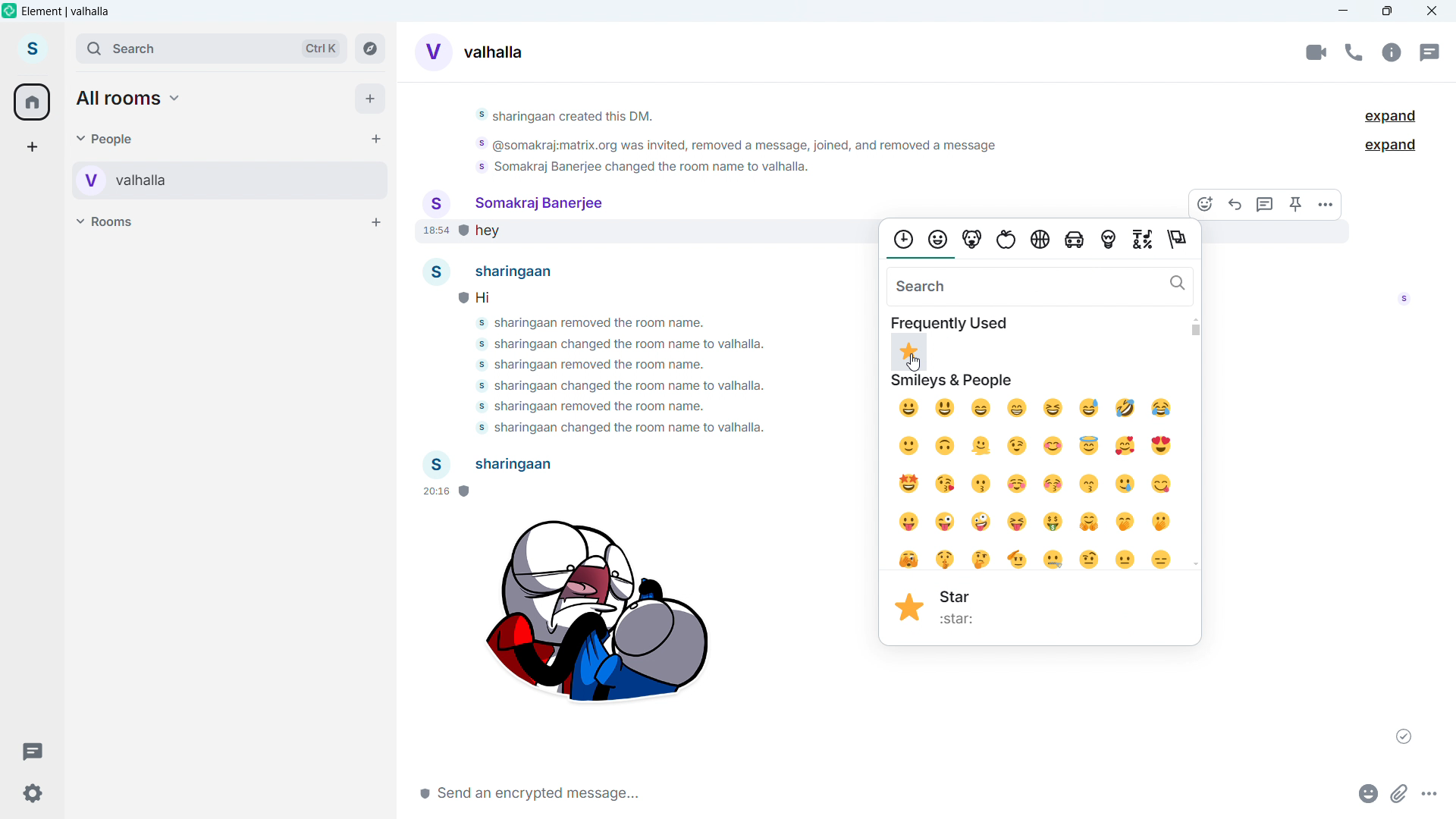 The width and height of the screenshot is (1456, 819). What do you see at coordinates (1094, 484) in the screenshot?
I see `kissing face with smiling eyes` at bounding box center [1094, 484].